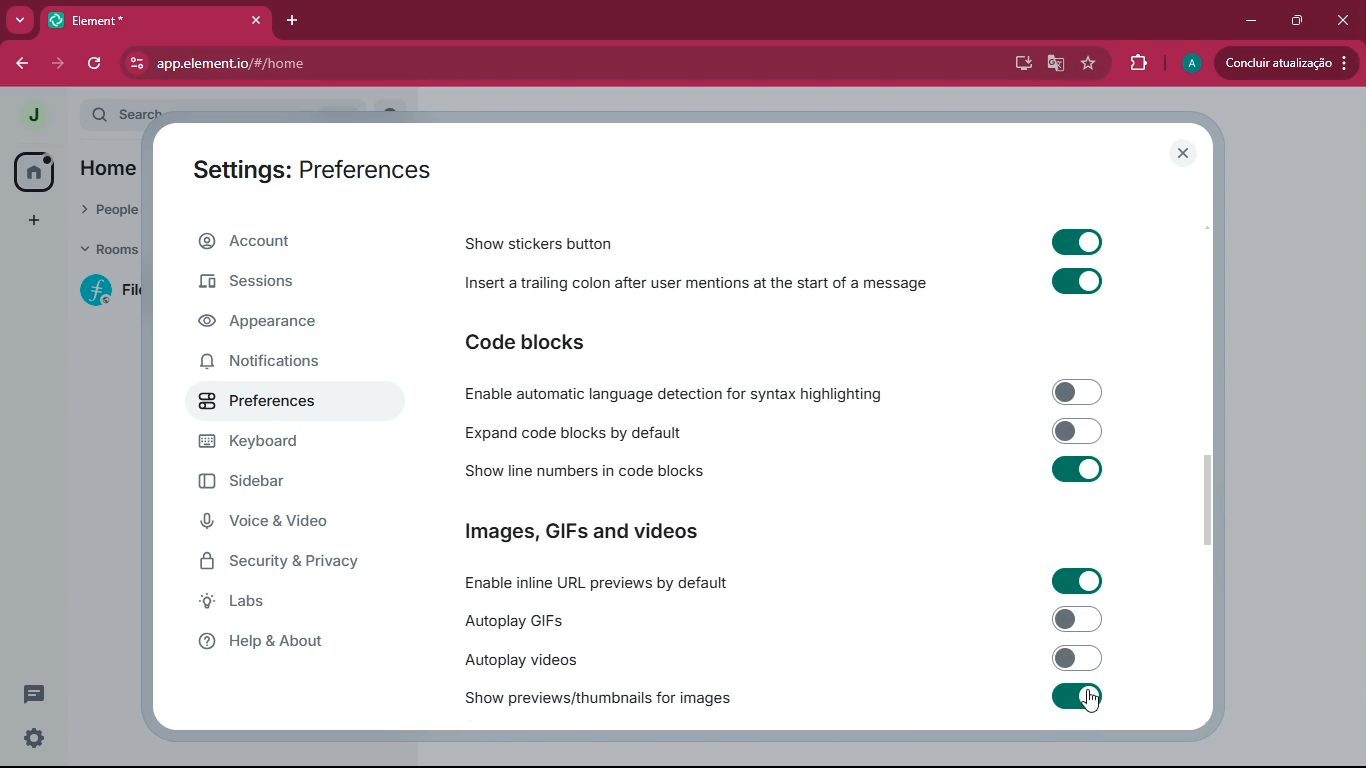 This screenshot has width=1366, height=768. What do you see at coordinates (1136, 65) in the screenshot?
I see `extensions` at bounding box center [1136, 65].